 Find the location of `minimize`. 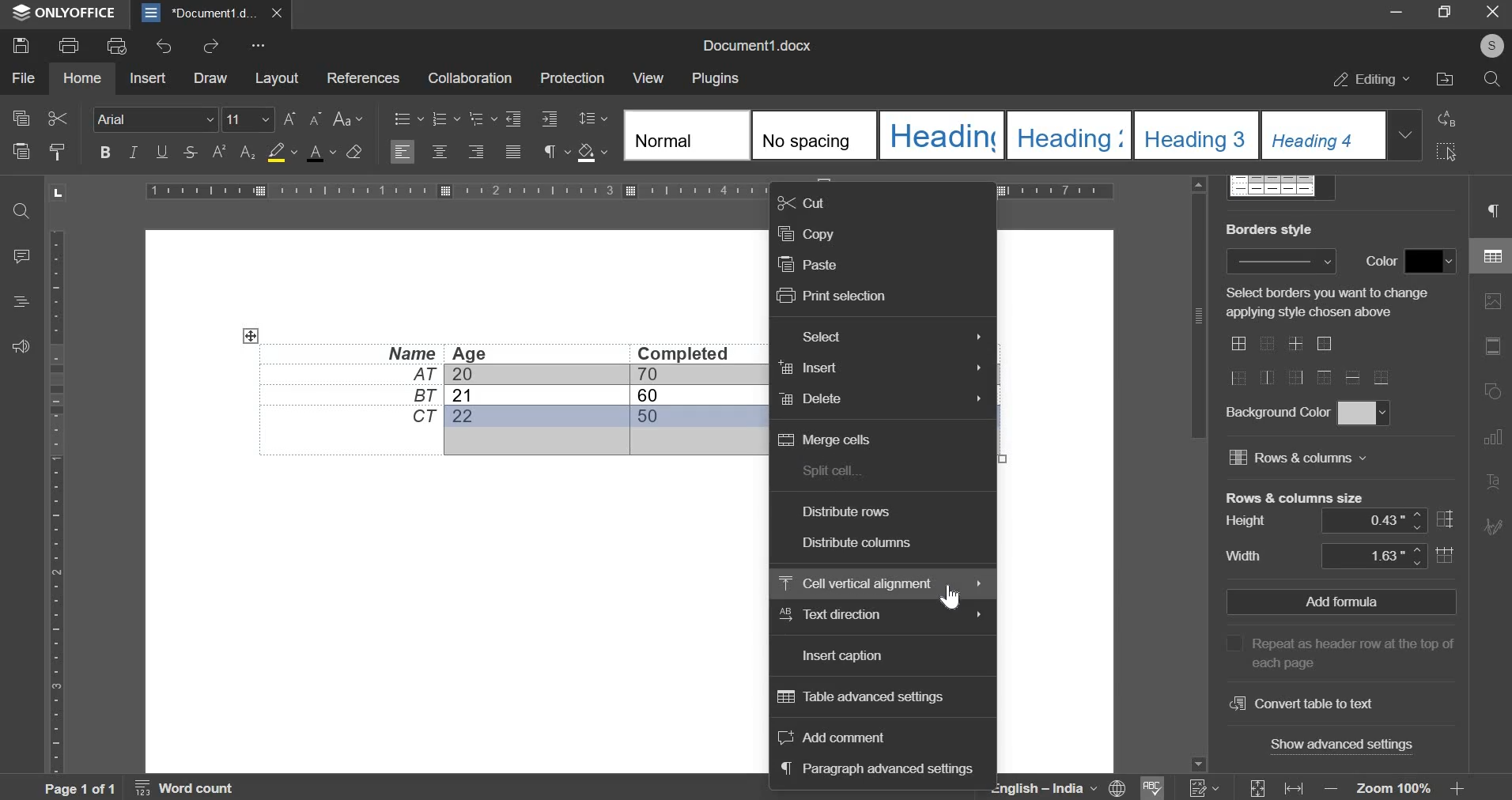

minimize is located at coordinates (1397, 10).